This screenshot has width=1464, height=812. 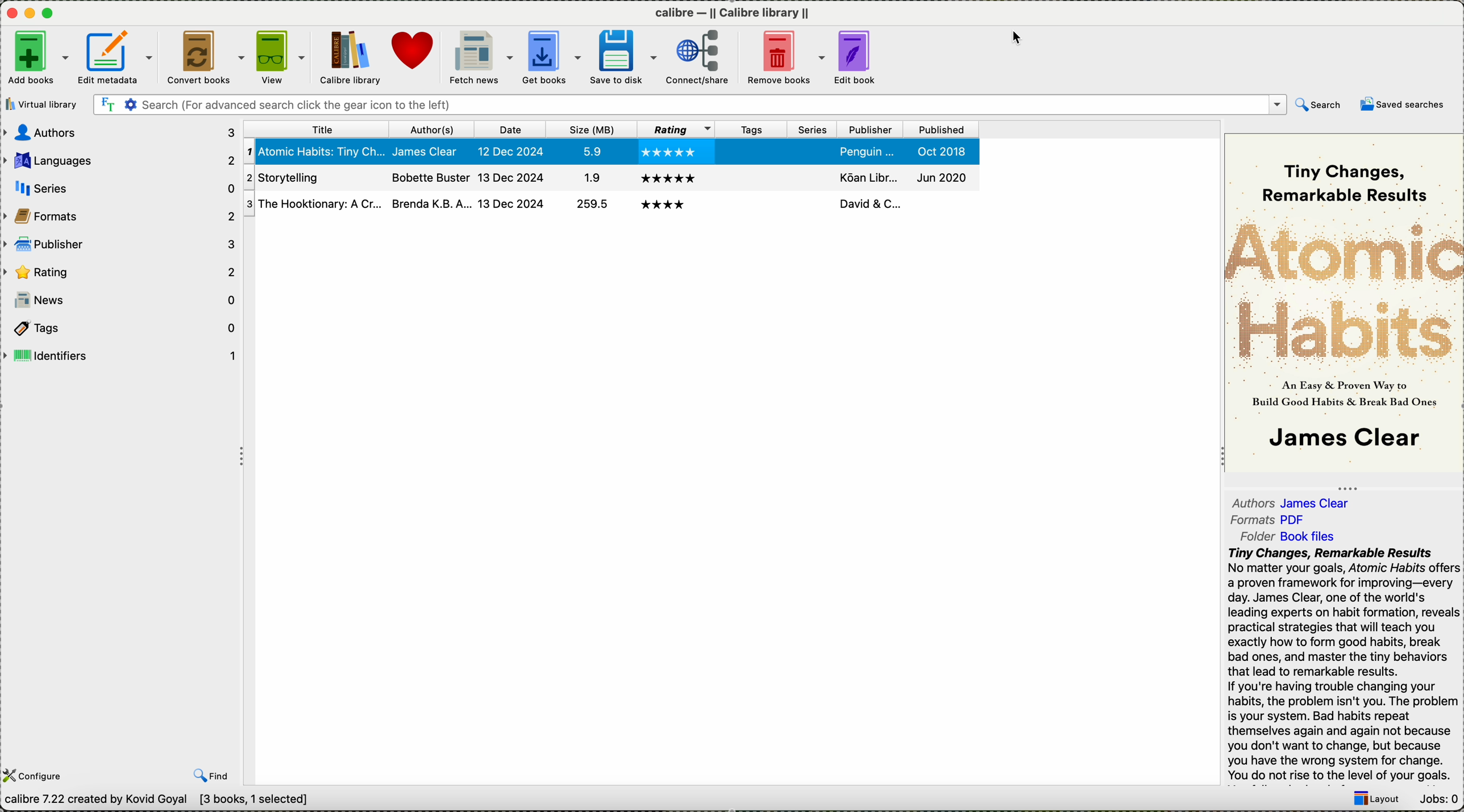 I want to click on 12 dEC 2024, so click(x=513, y=152).